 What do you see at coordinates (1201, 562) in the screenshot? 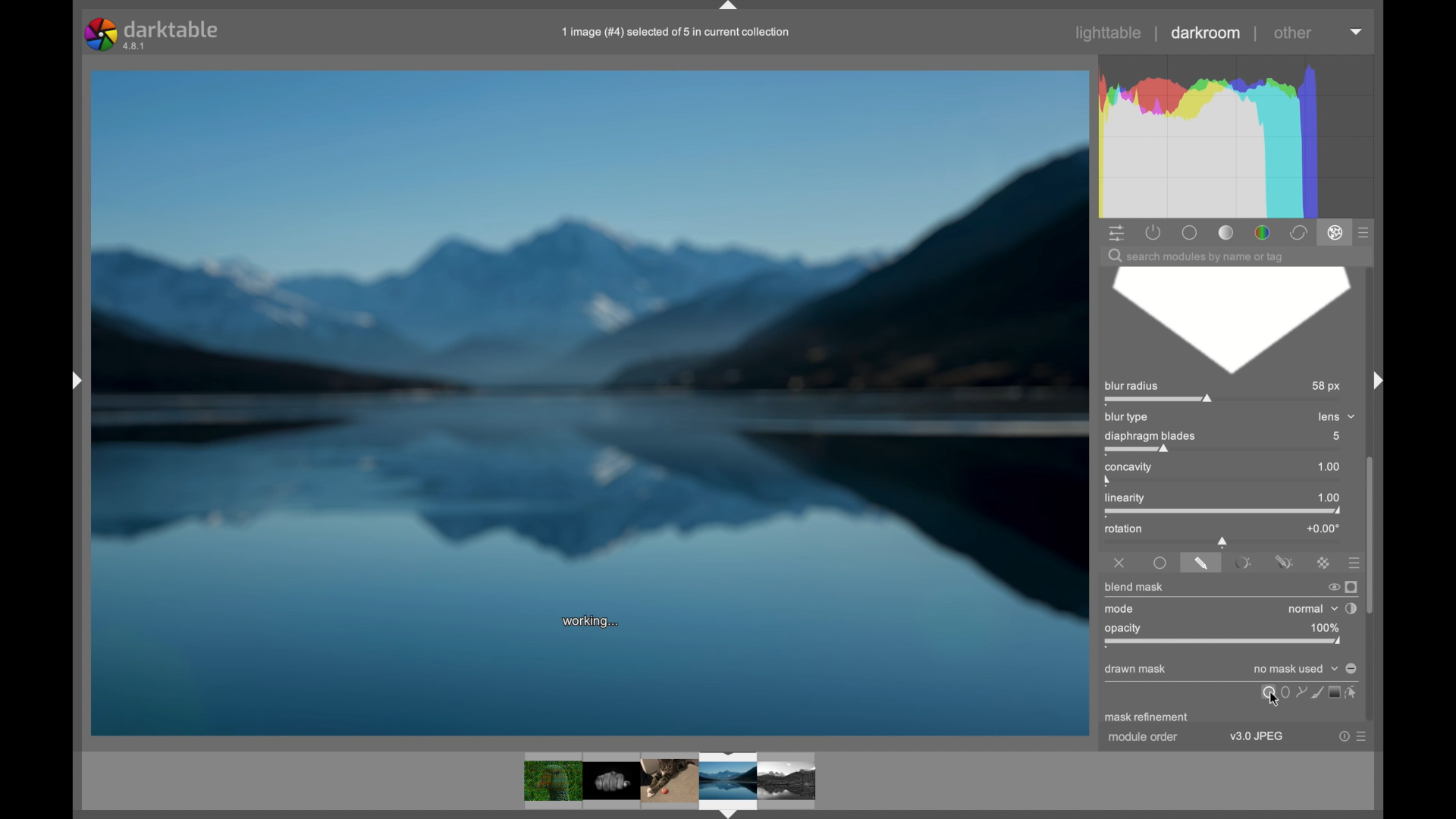
I see `drawnamsk` at bounding box center [1201, 562].